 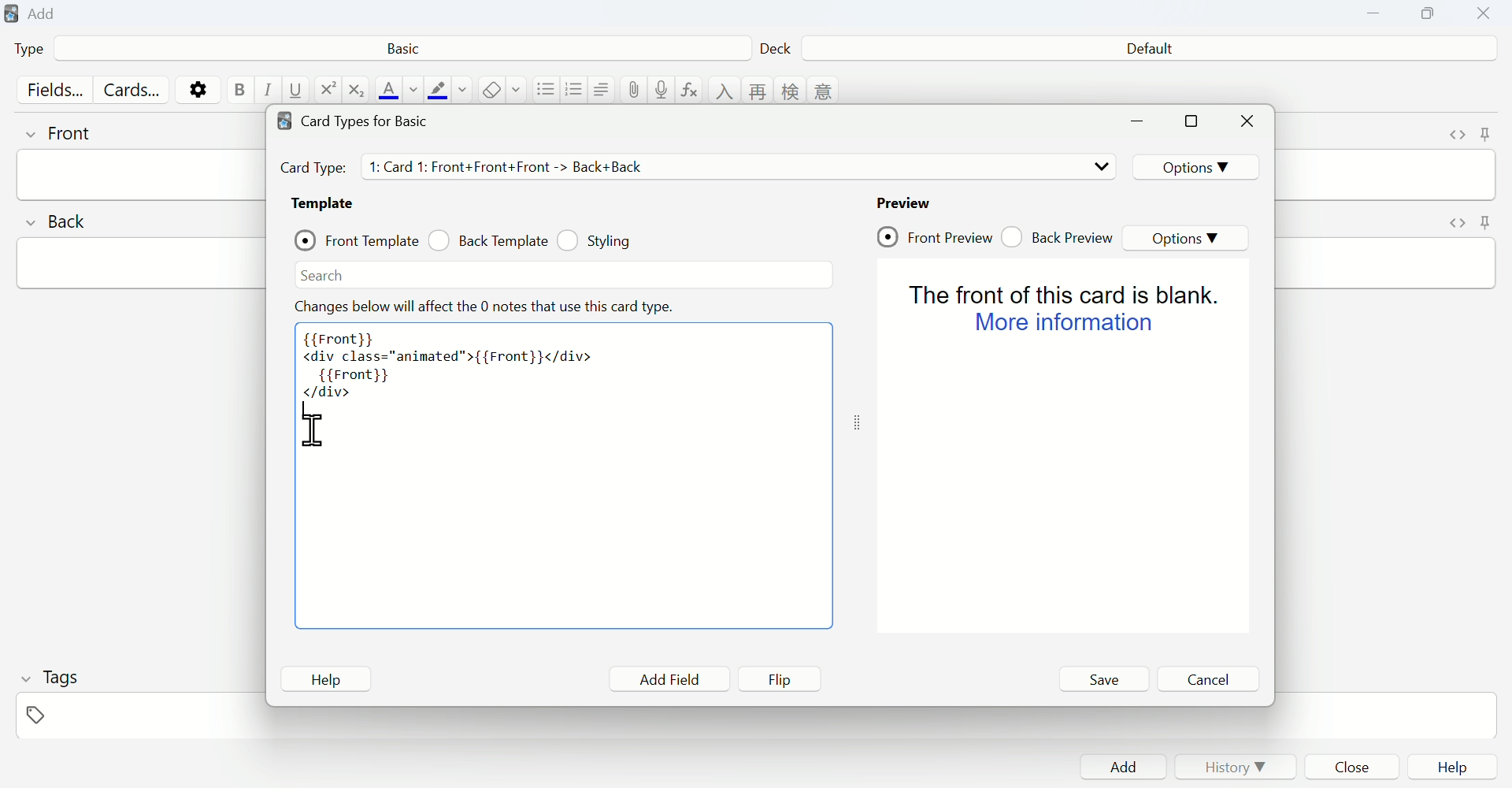 What do you see at coordinates (1123, 767) in the screenshot?
I see `Add` at bounding box center [1123, 767].